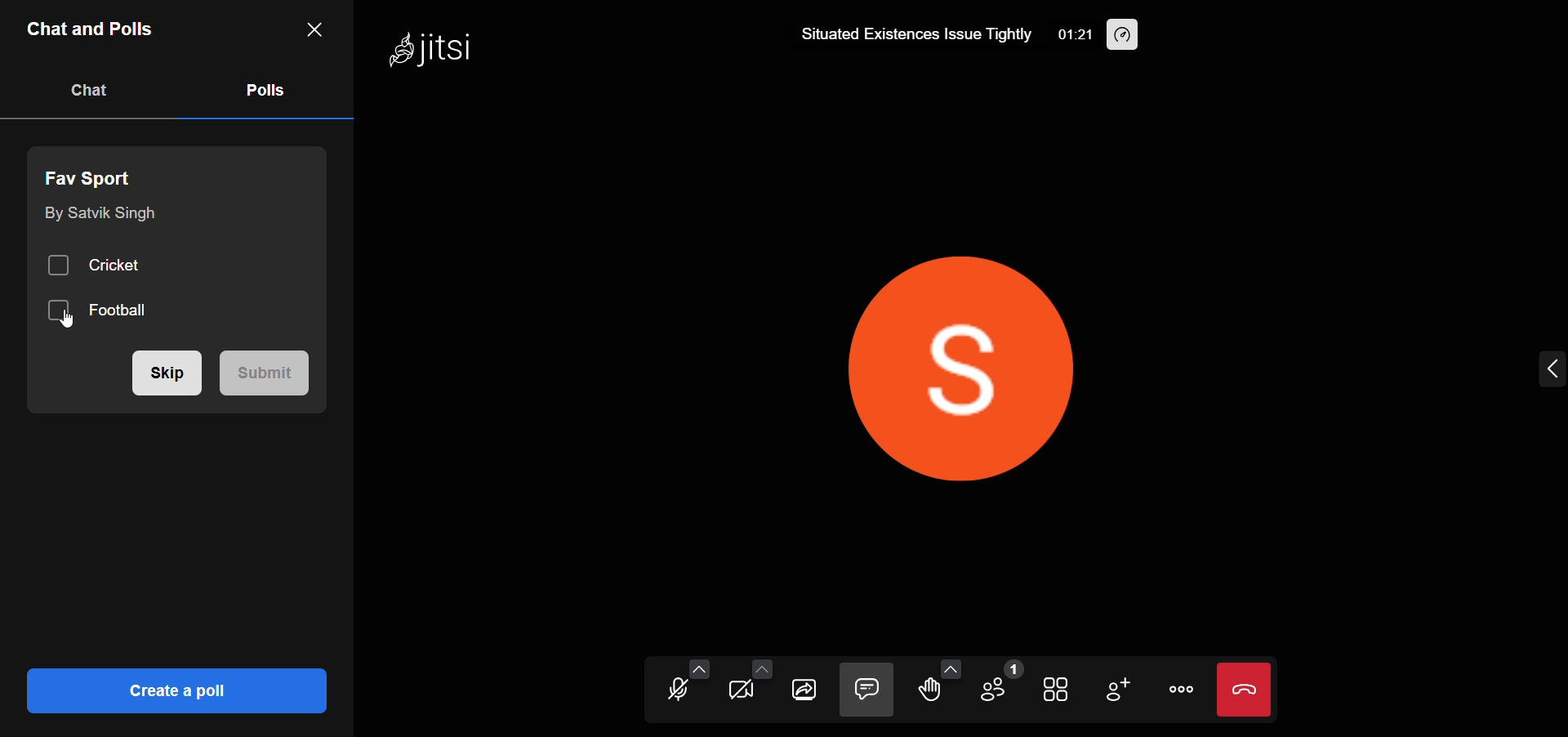 This screenshot has width=1568, height=737. What do you see at coordinates (1547, 369) in the screenshot?
I see `expand` at bounding box center [1547, 369].